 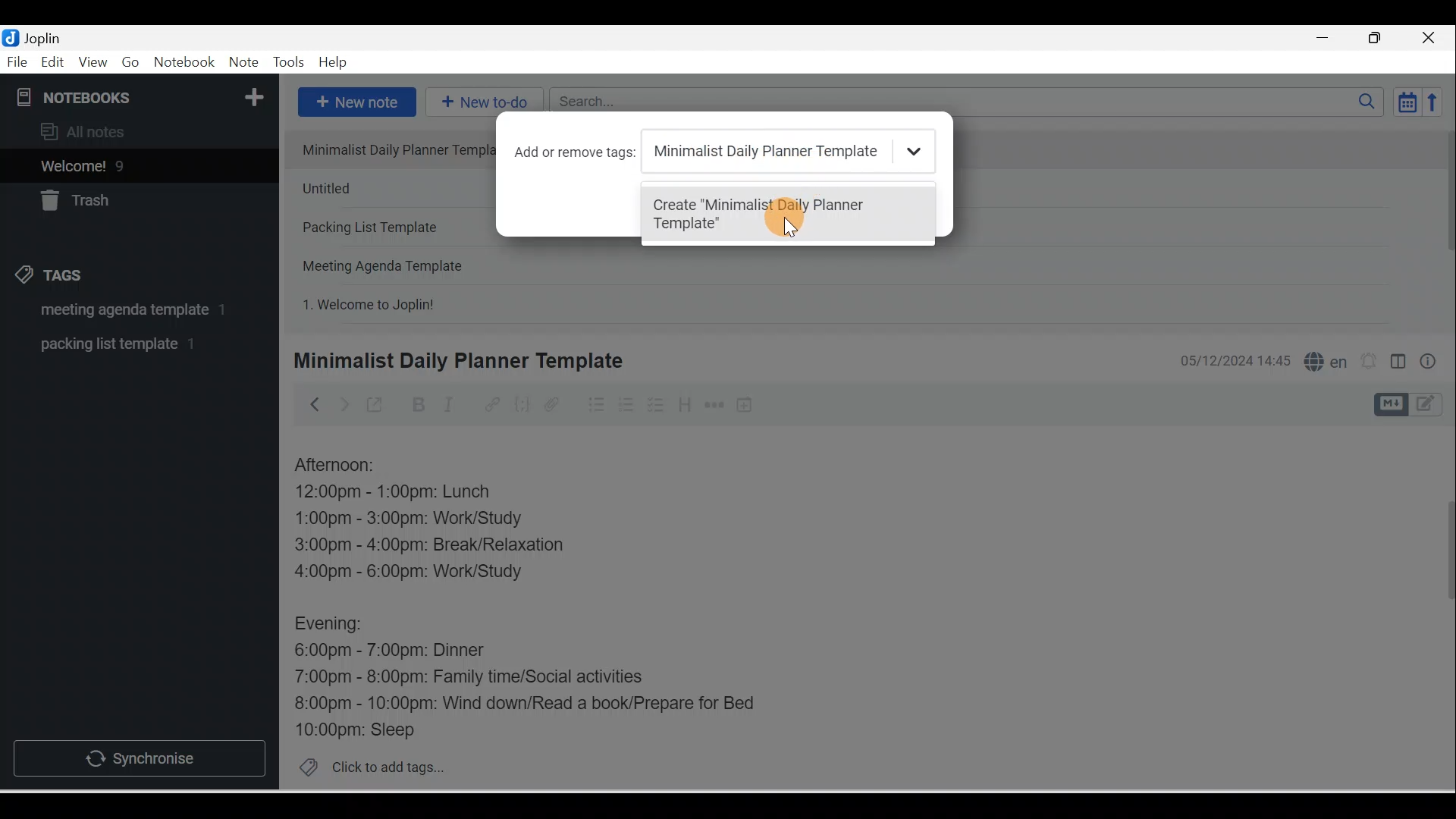 I want to click on Insert time, so click(x=744, y=406).